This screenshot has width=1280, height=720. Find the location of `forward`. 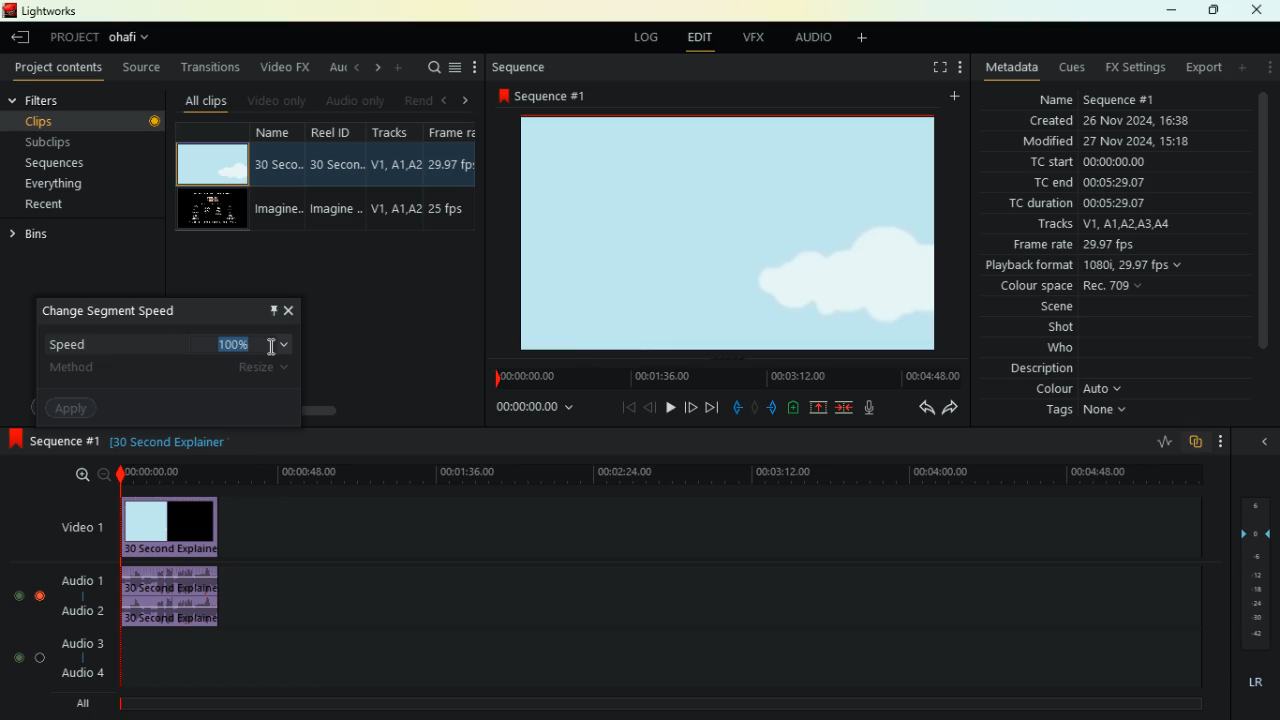

forward is located at coordinates (954, 407).